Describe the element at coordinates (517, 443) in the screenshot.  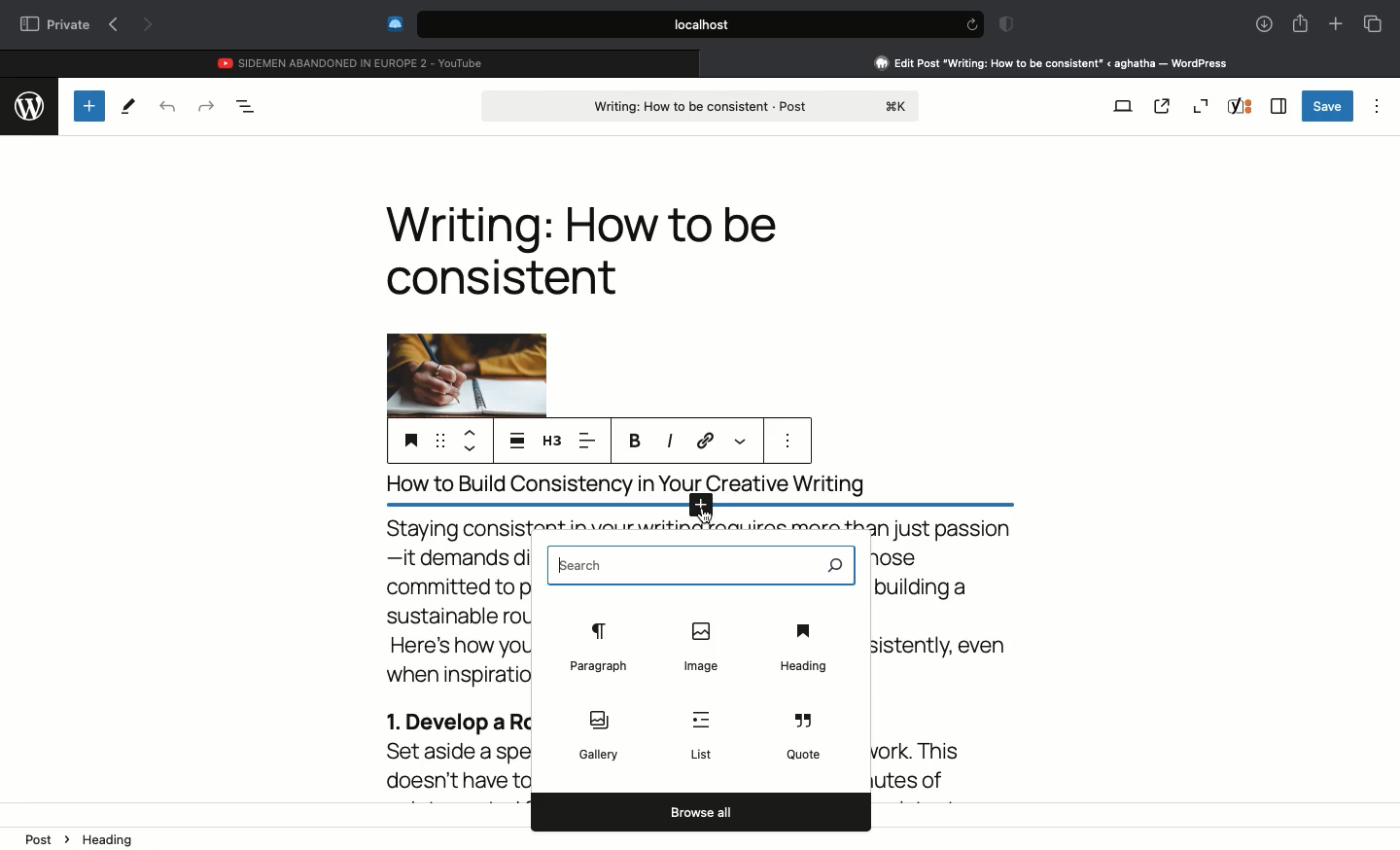
I see `Align` at that location.